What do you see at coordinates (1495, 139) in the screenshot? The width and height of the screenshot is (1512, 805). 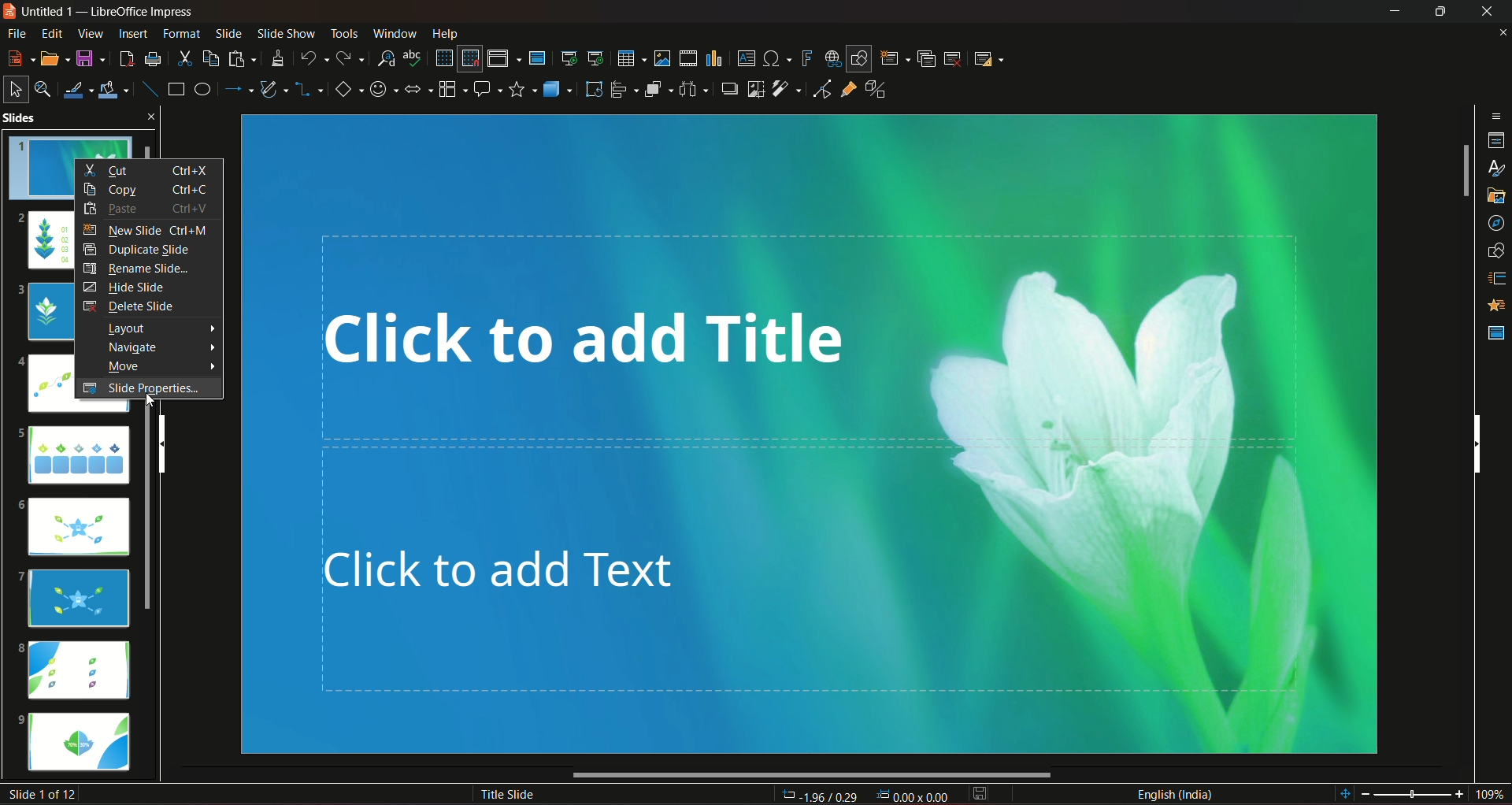 I see `properties` at bounding box center [1495, 139].